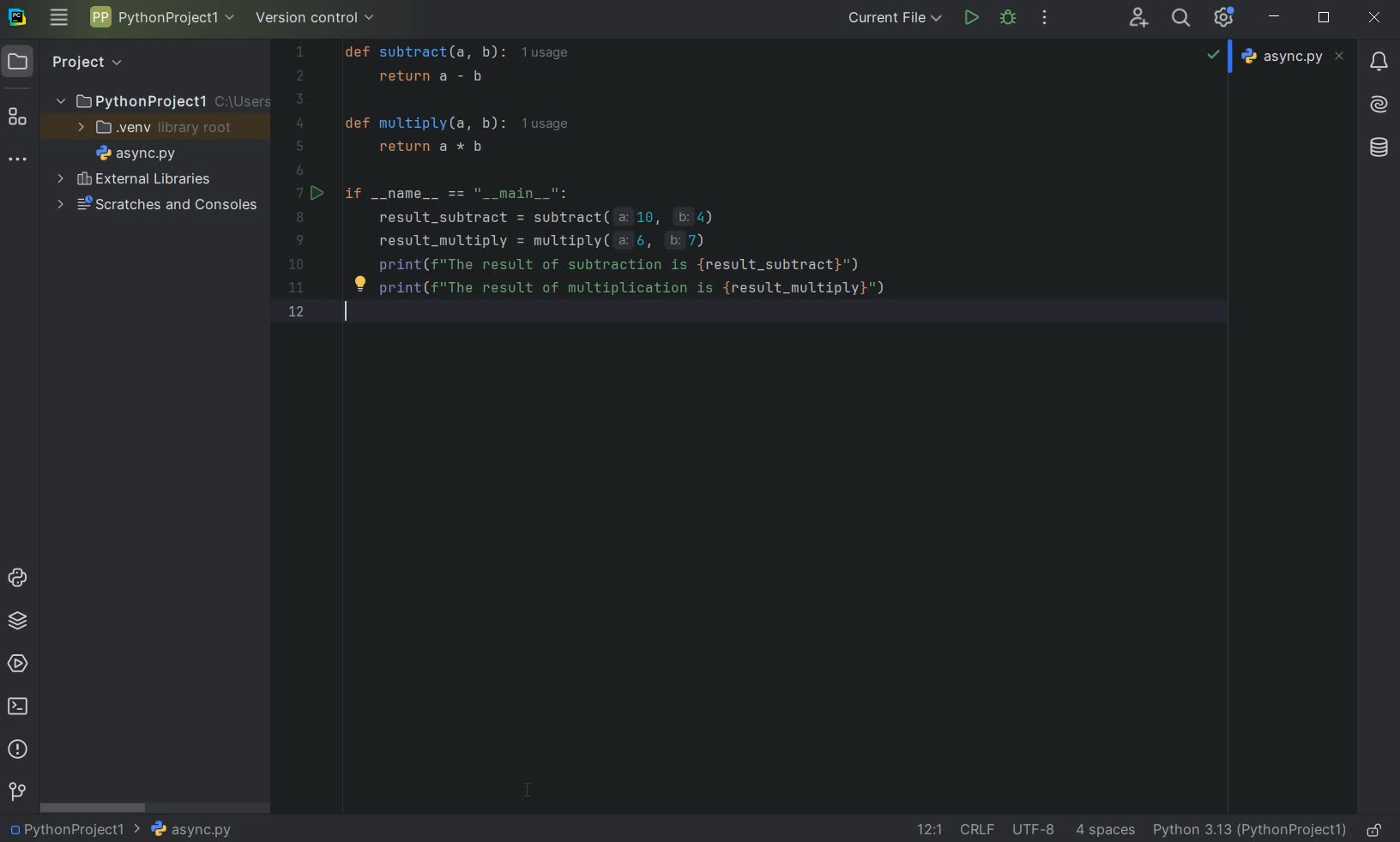  I want to click on notifications, so click(1378, 62).